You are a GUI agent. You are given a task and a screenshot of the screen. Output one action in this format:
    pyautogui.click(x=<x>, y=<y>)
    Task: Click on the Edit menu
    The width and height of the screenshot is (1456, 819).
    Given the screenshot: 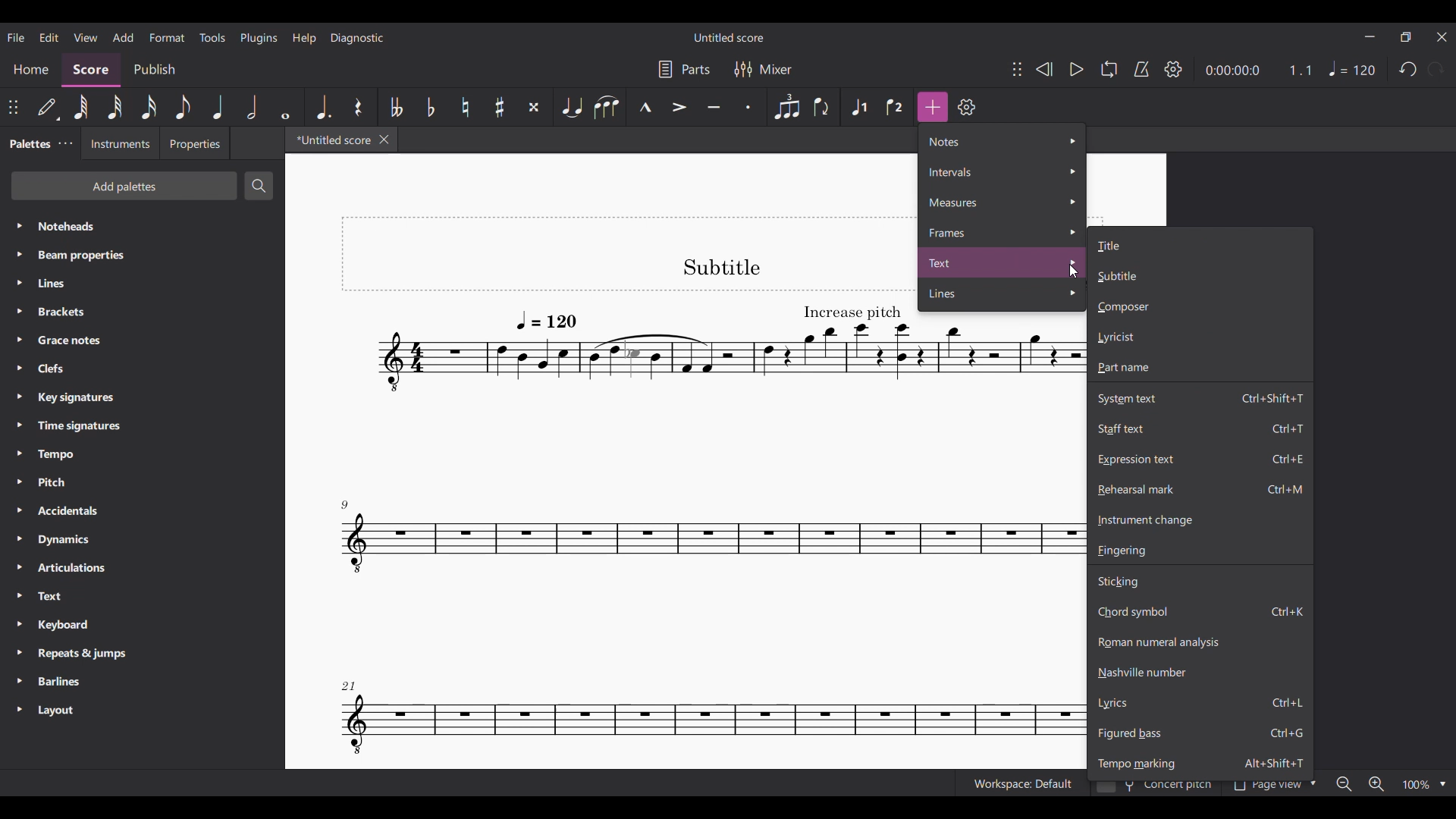 What is the action you would take?
    pyautogui.click(x=49, y=37)
    